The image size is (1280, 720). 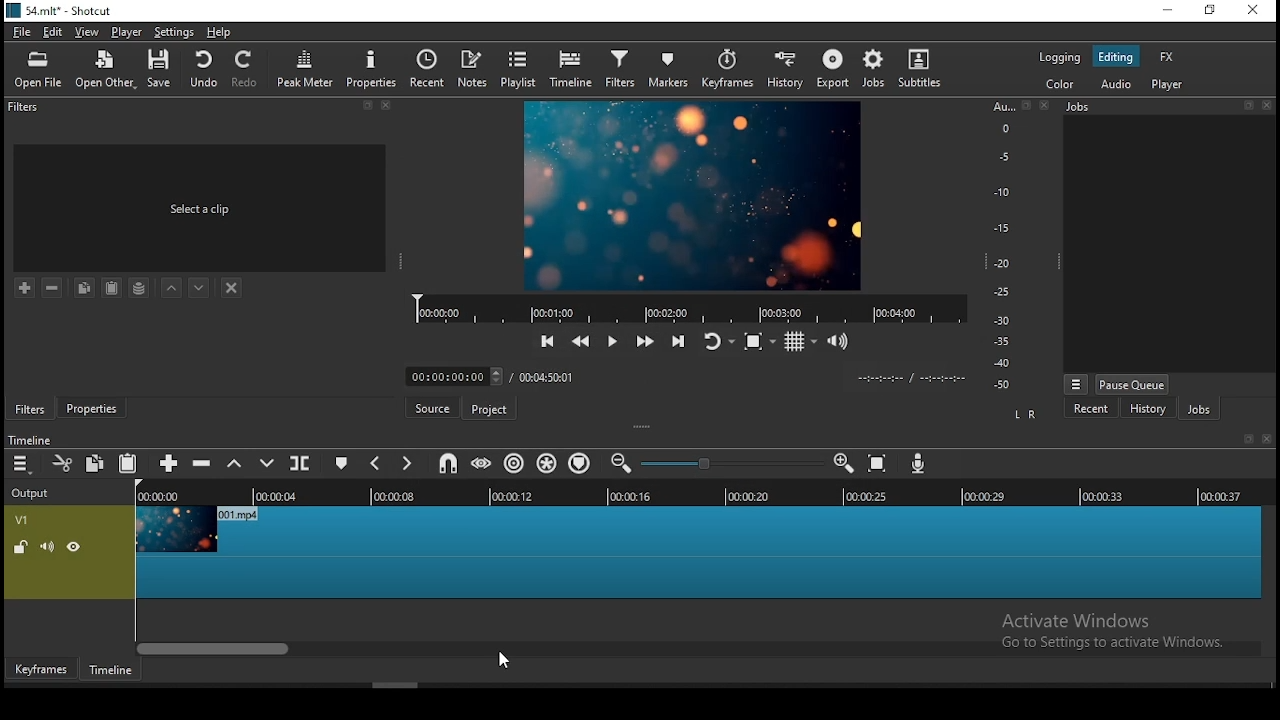 I want to click on Select a clip, so click(x=200, y=208).